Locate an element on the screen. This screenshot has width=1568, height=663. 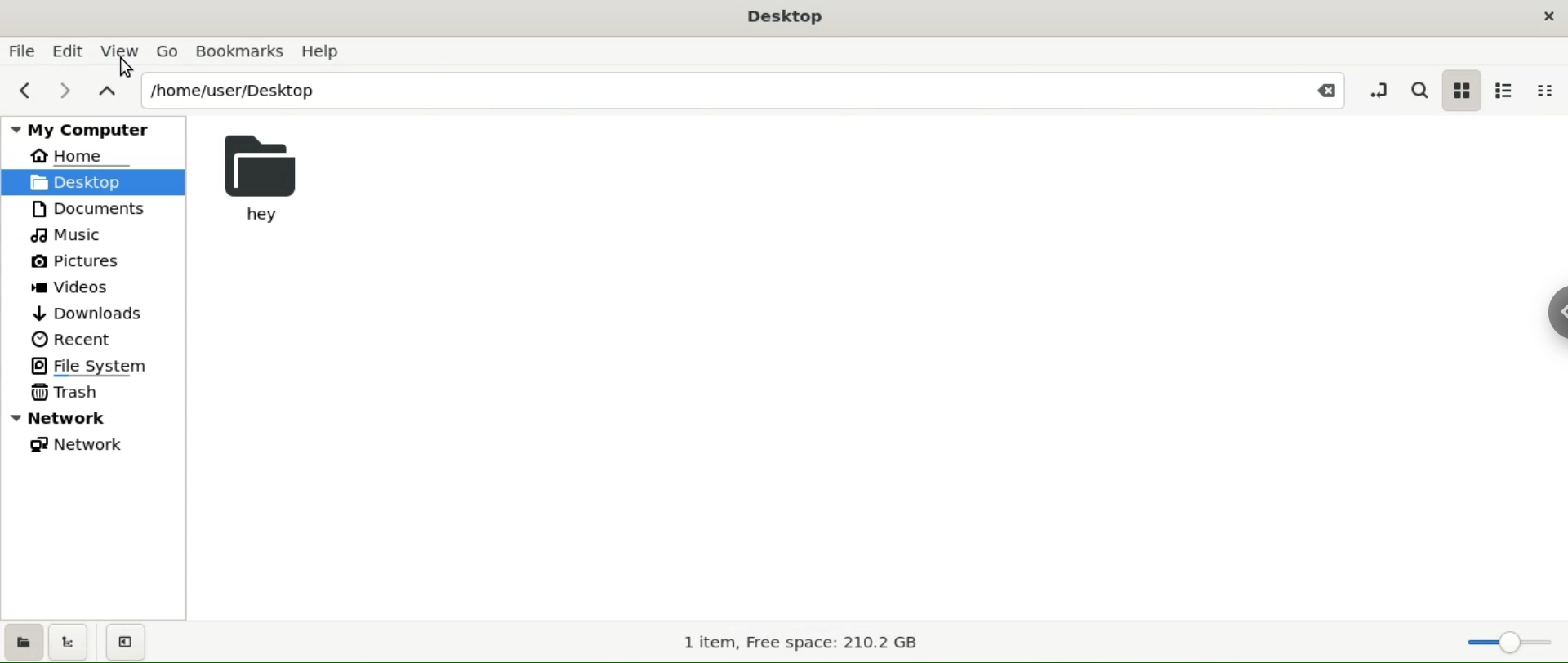
zoom slider is located at coordinates (1499, 638).